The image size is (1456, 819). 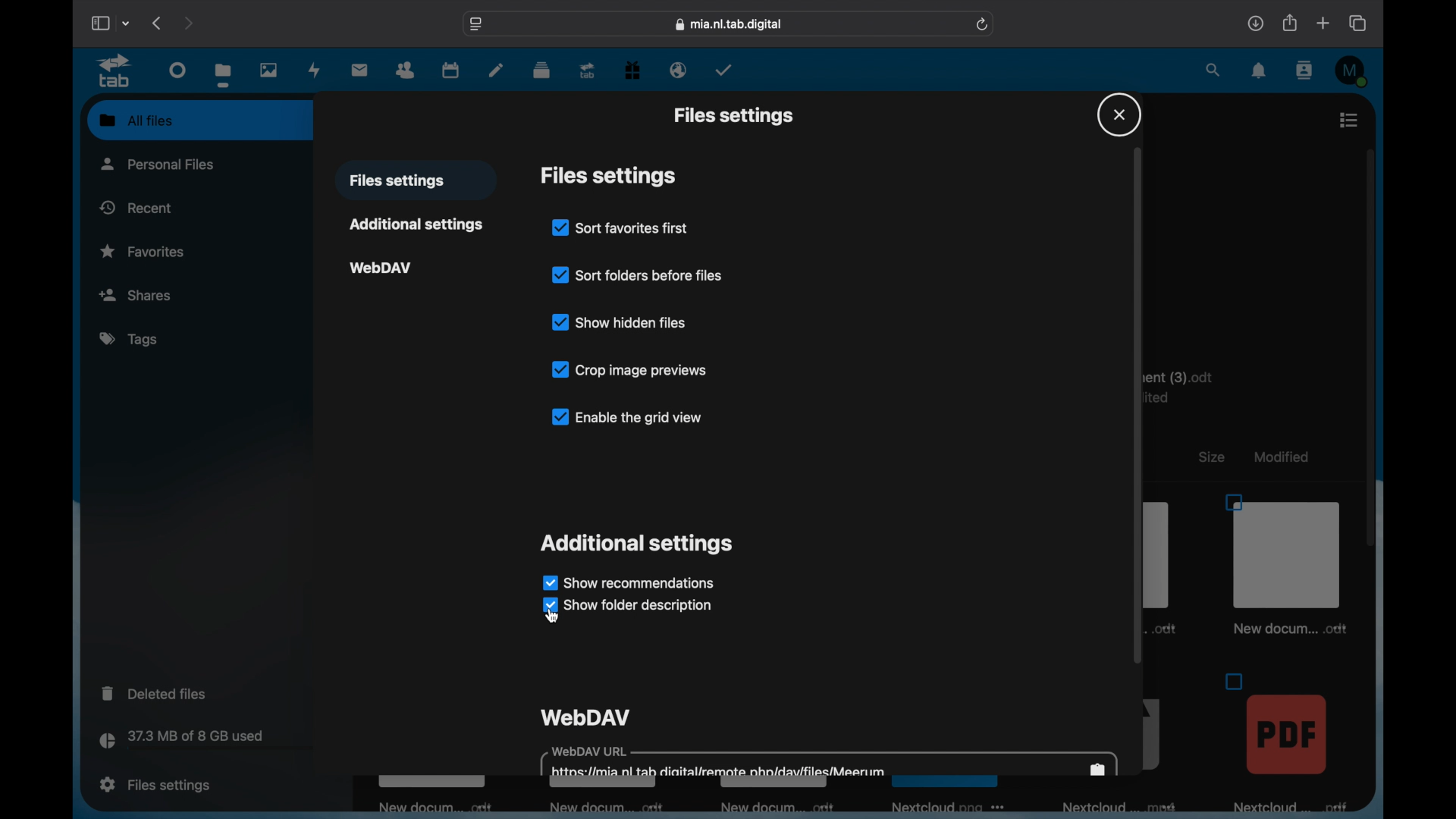 I want to click on additional settings, so click(x=635, y=544).